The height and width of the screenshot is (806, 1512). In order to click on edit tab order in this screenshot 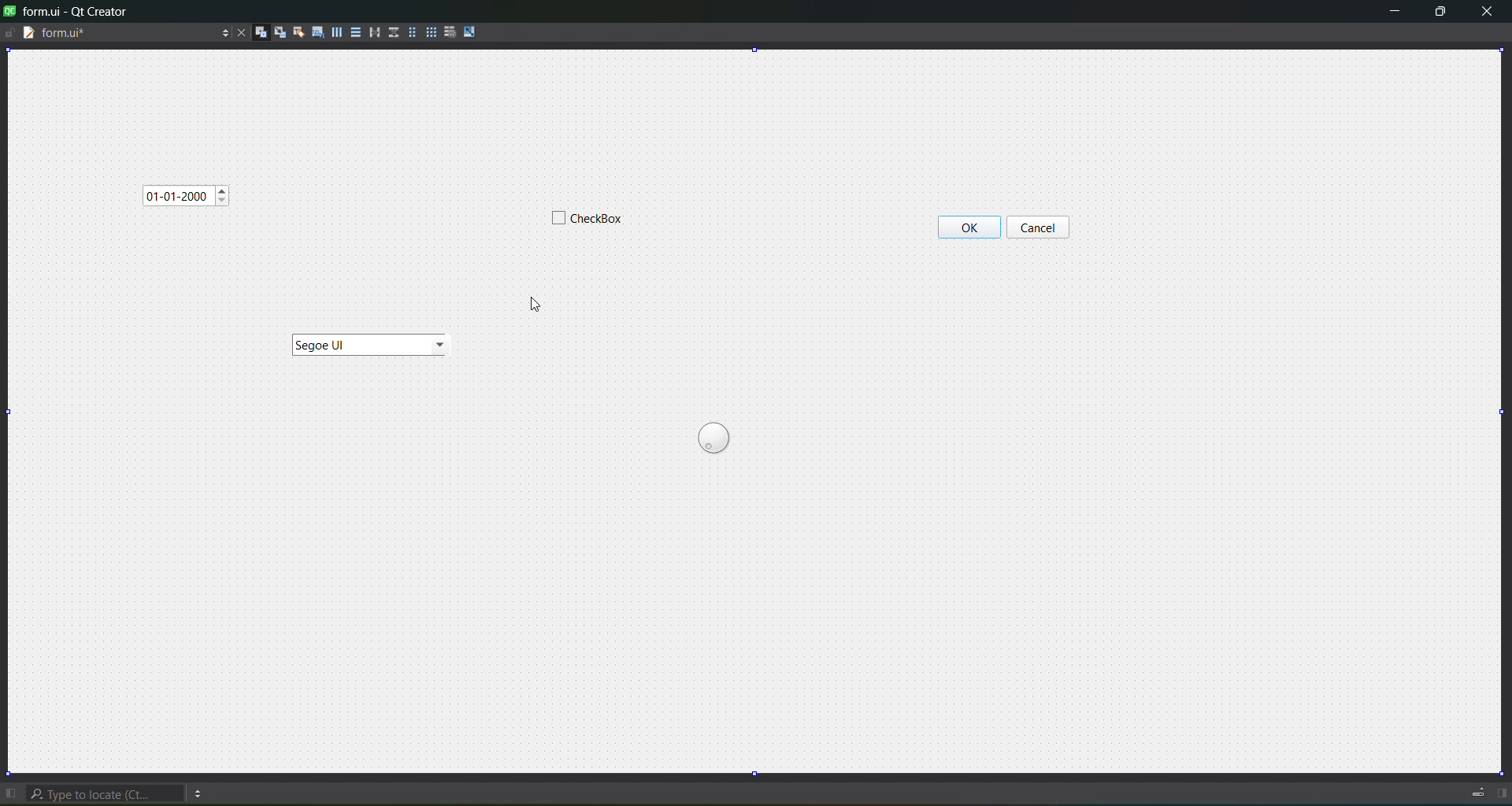, I will do `click(314, 30)`.